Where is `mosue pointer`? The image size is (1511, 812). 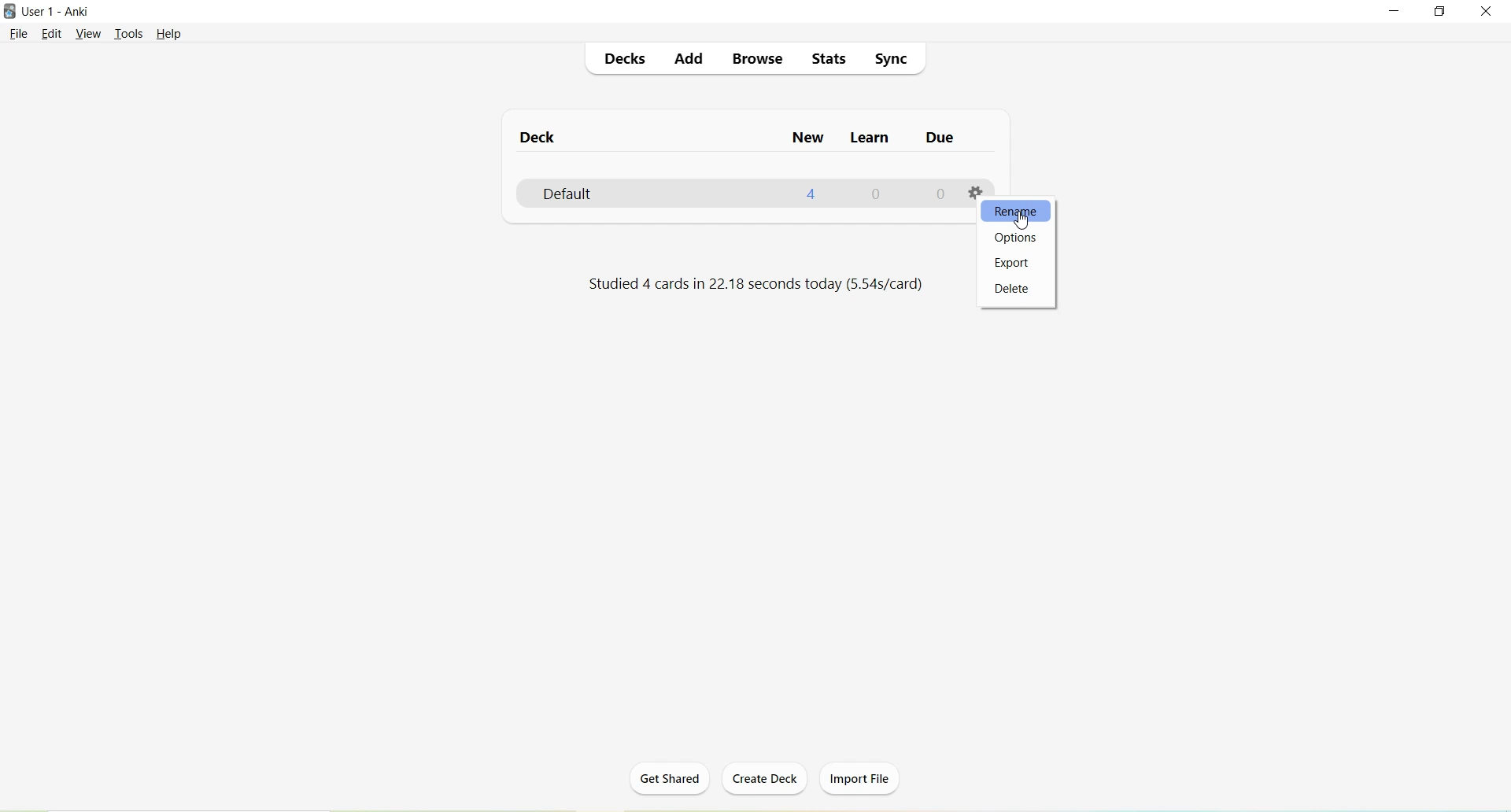
mosue pointer is located at coordinates (1019, 220).